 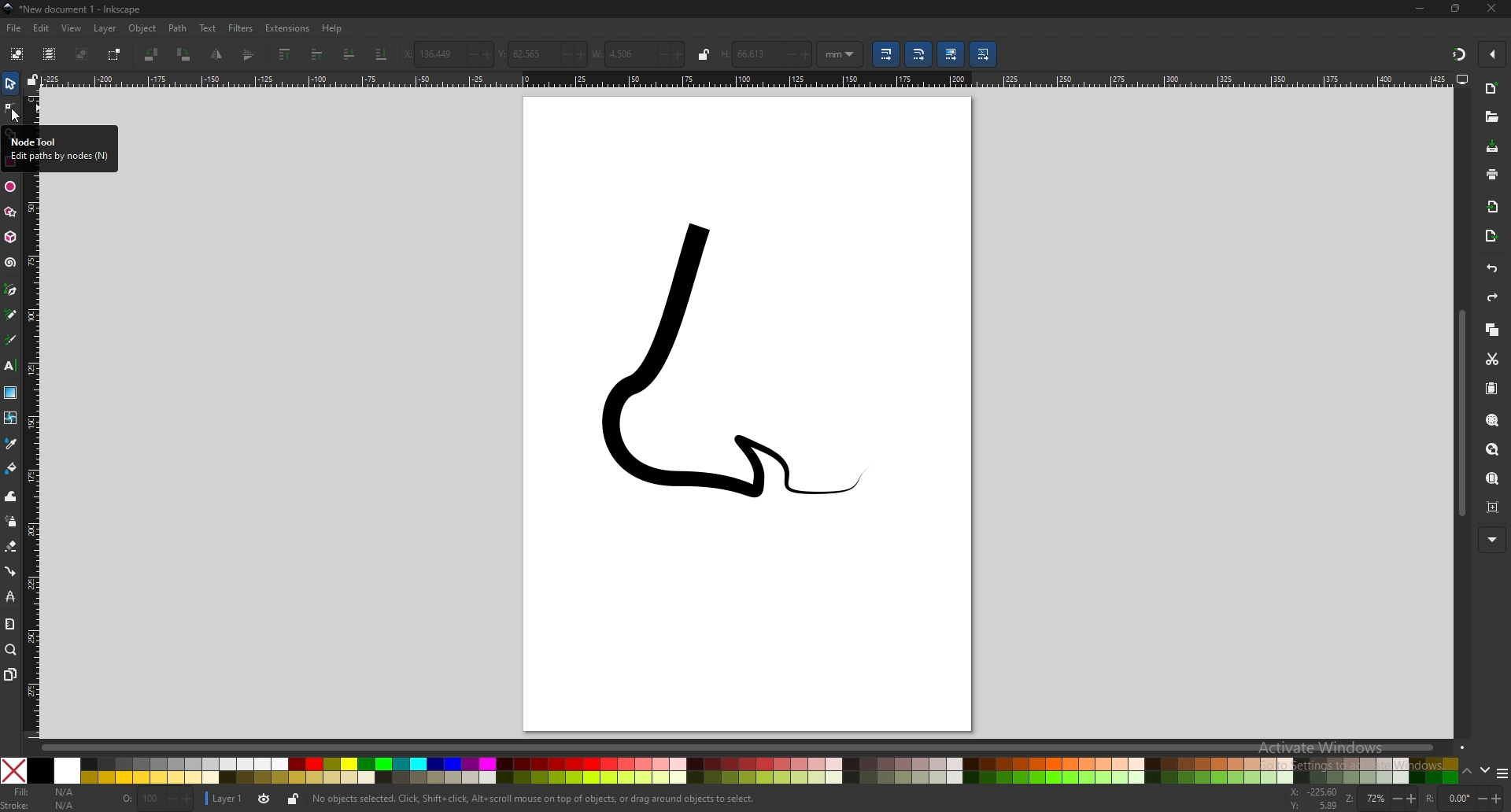 What do you see at coordinates (1485, 771) in the screenshot?
I see `down` at bounding box center [1485, 771].